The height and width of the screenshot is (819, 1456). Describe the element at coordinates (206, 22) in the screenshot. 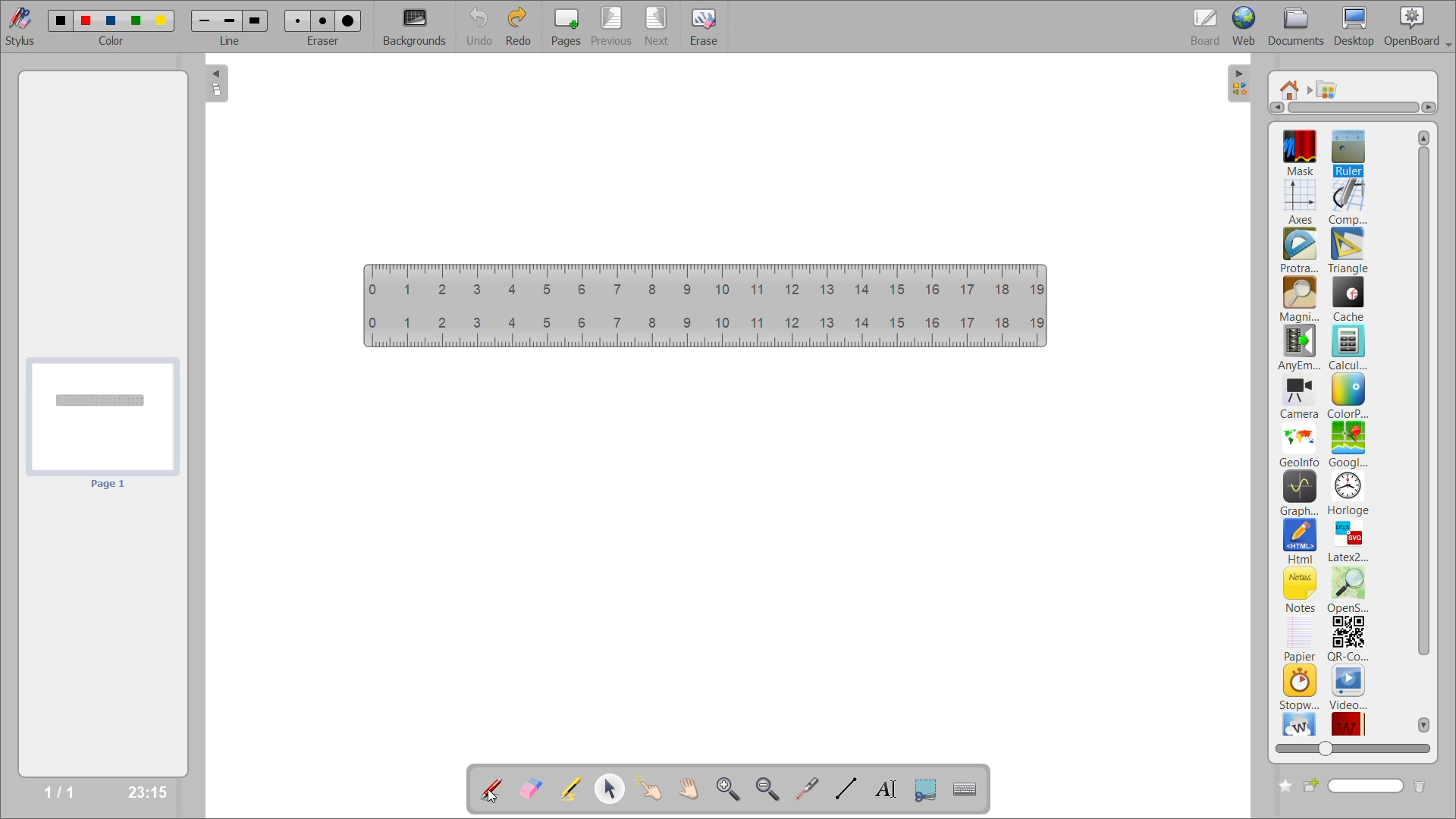

I see `line 1` at that location.